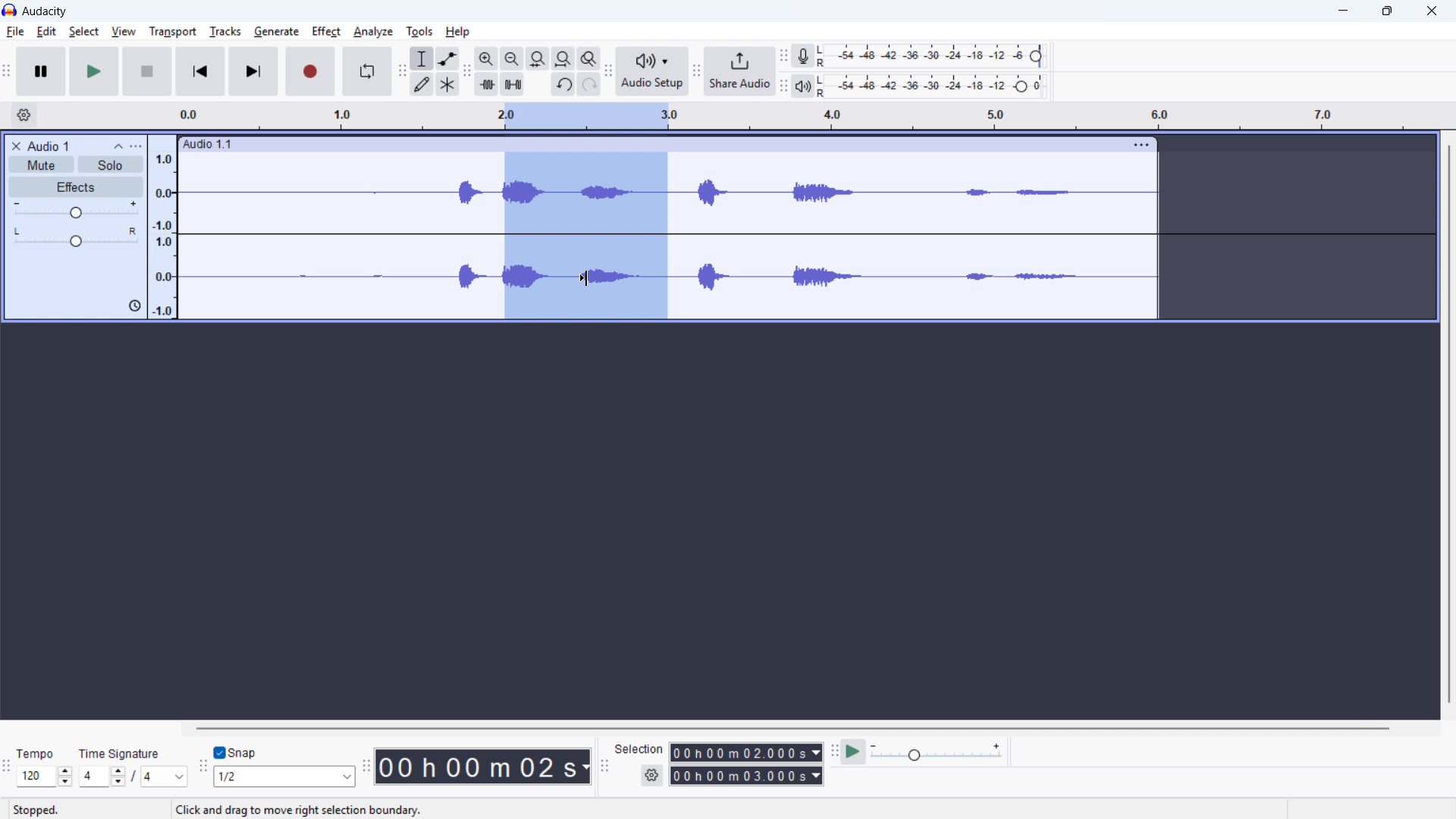  What do you see at coordinates (42, 71) in the screenshot?
I see `Pause` at bounding box center [42, 71].